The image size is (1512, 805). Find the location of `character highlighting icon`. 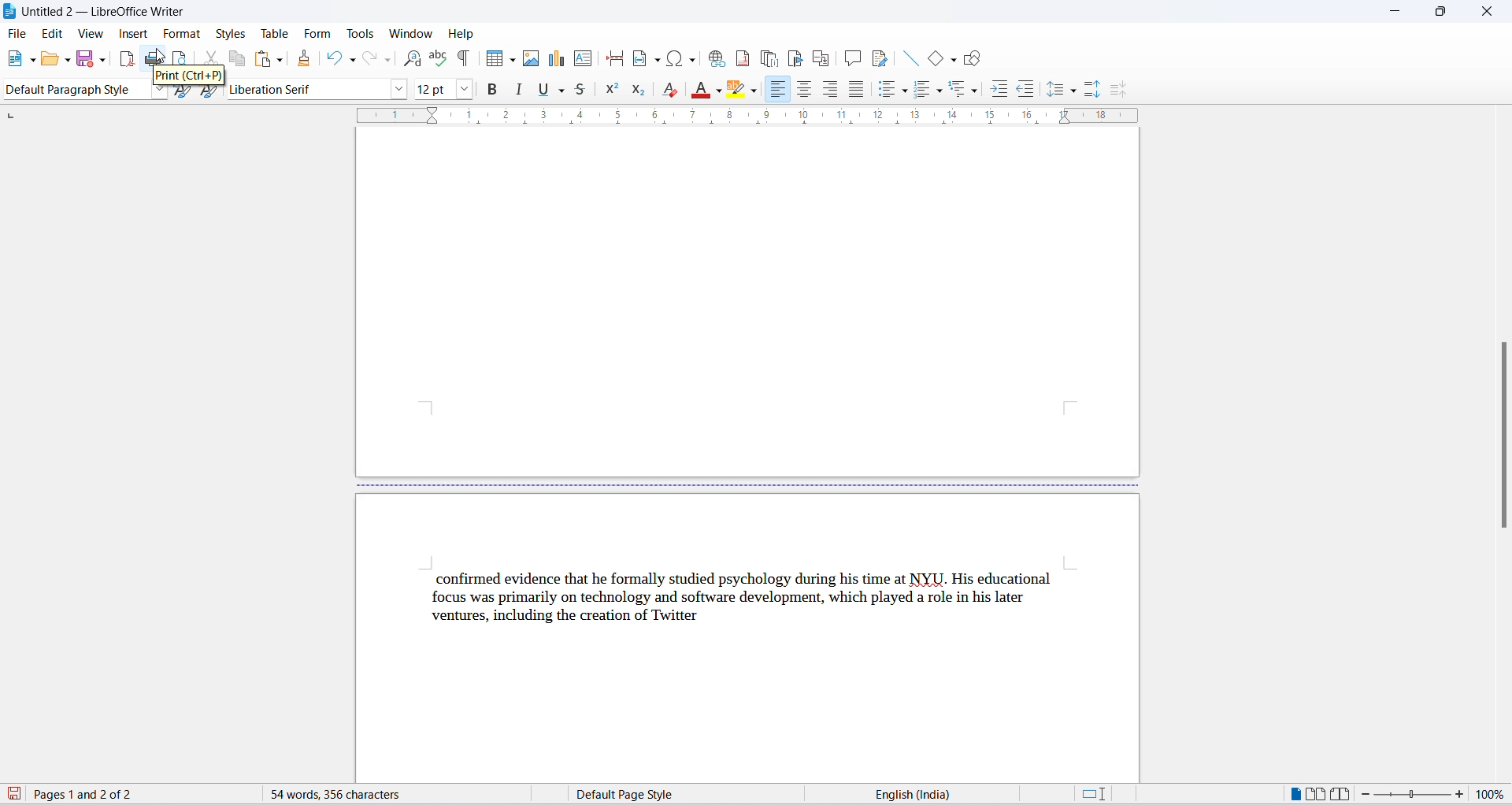

character highlighting icon is located at coordinates (737, 89).